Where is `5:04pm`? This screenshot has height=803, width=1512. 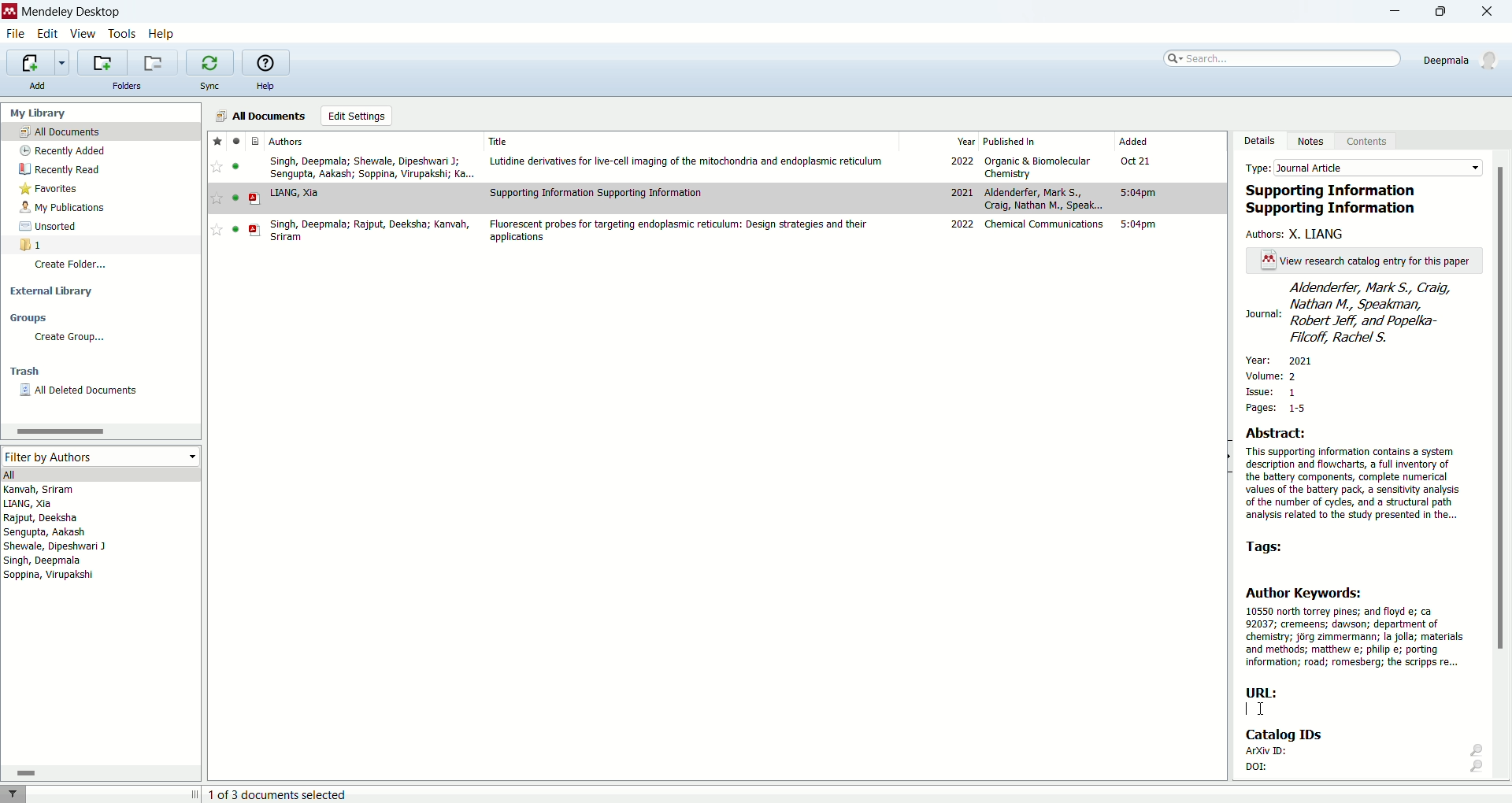
5:04pm is located at coordinates (1138, 193).